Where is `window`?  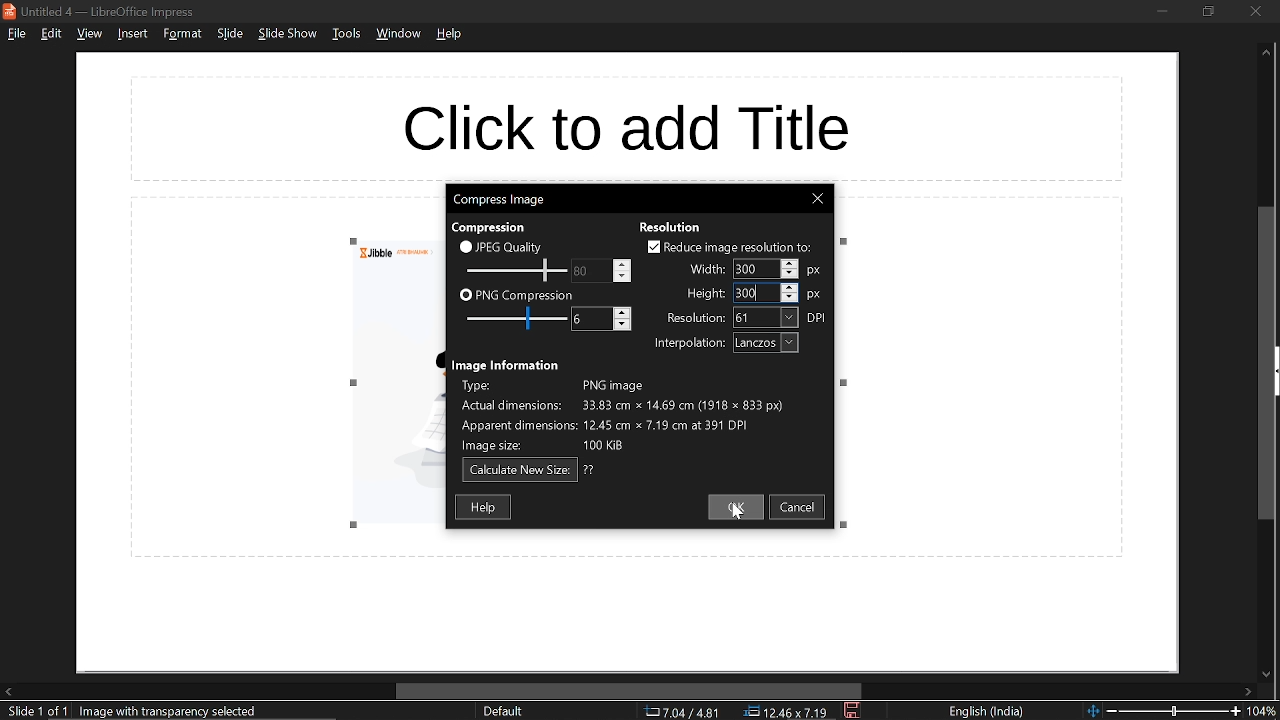 window is located at coordinates (397, 36).